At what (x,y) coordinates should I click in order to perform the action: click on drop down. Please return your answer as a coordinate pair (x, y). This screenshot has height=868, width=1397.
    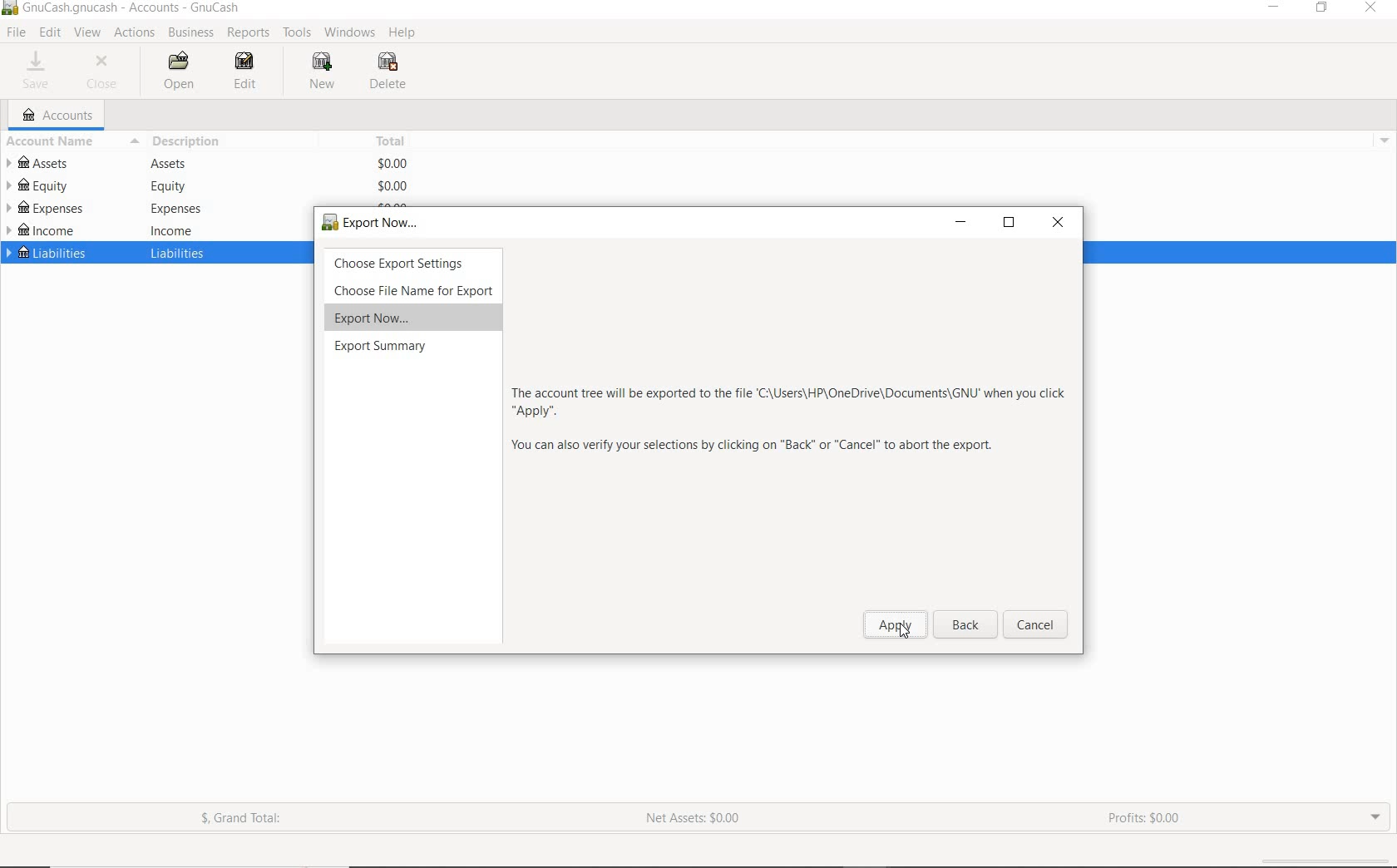
    Looking at the image, I should click on (1386, 140).